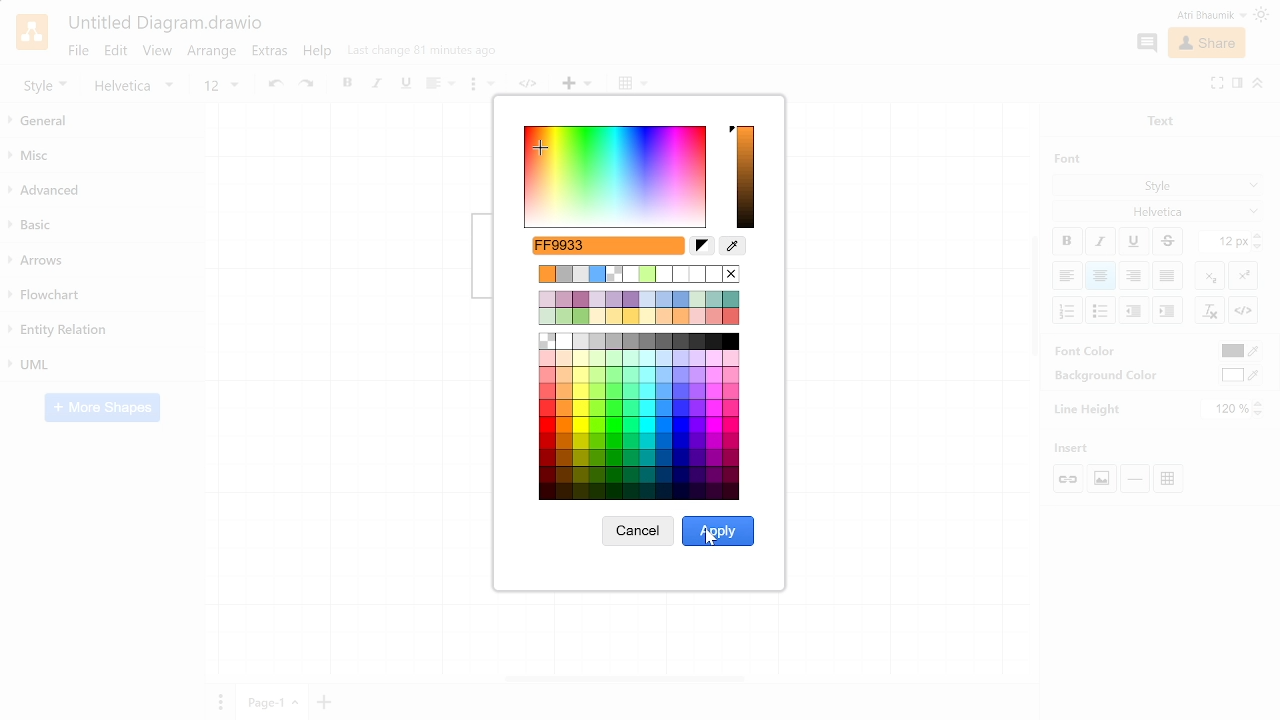 Image resolution: width=1280 pixels, height=720 pixels. Describe the element at coordinates (104, 122) in the screenshot. I see `general` at that location.